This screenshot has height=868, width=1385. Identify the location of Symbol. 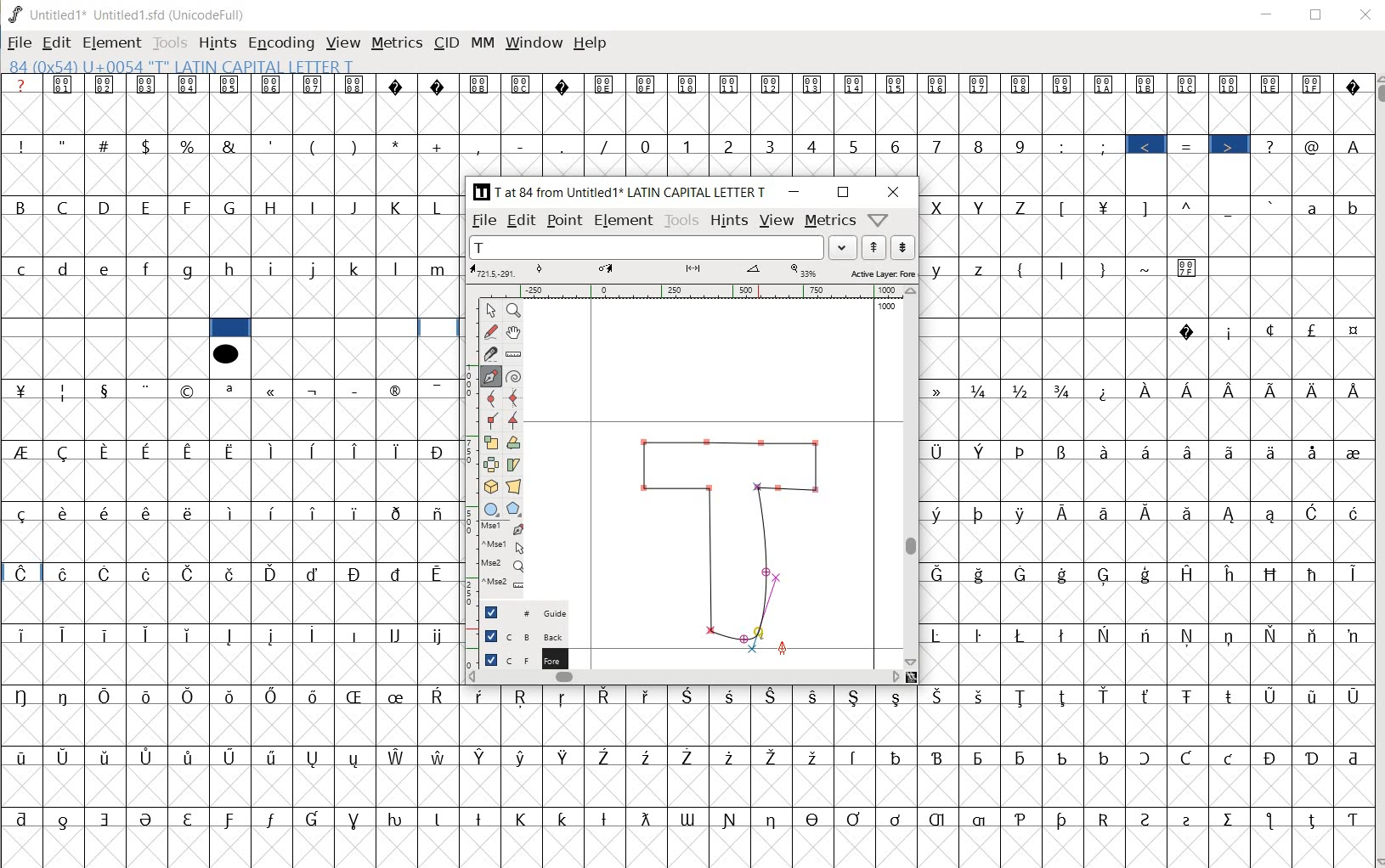
(357, 451).